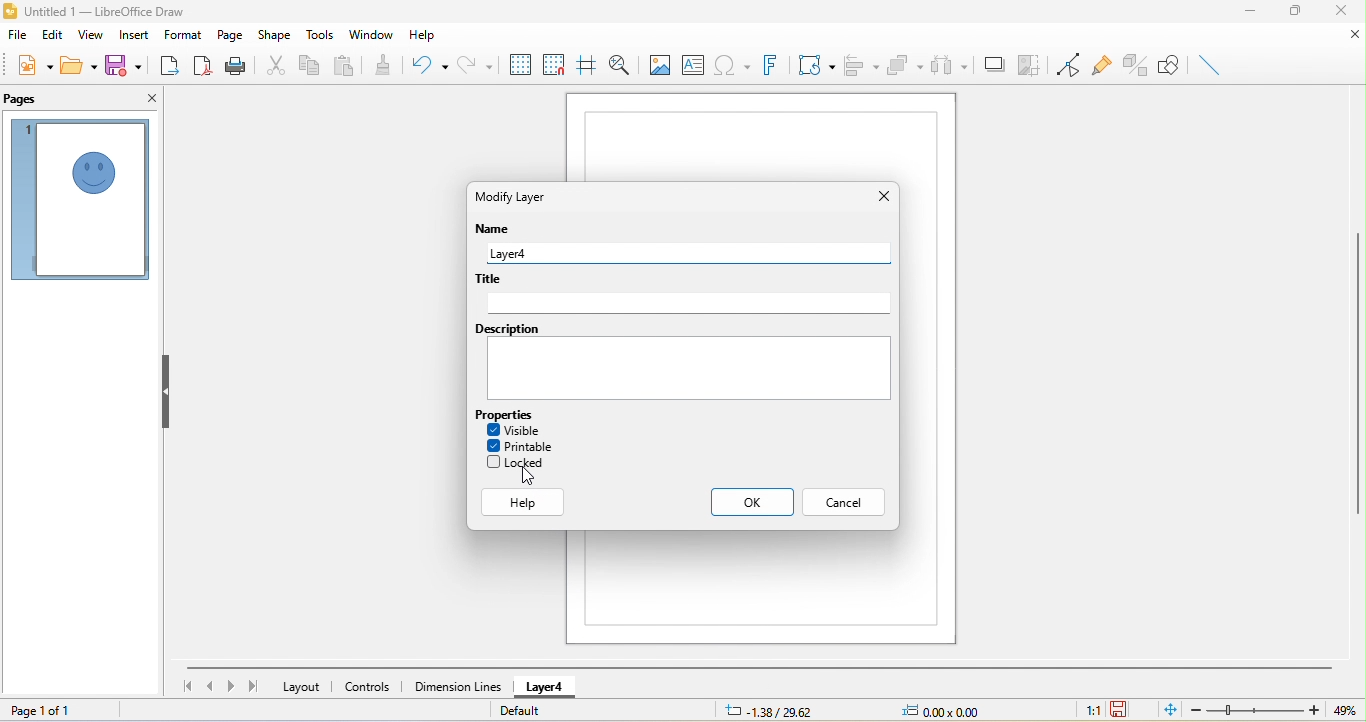 This screenshot has height=722, width=1366. I want to click on layer4, so click(686, 254).